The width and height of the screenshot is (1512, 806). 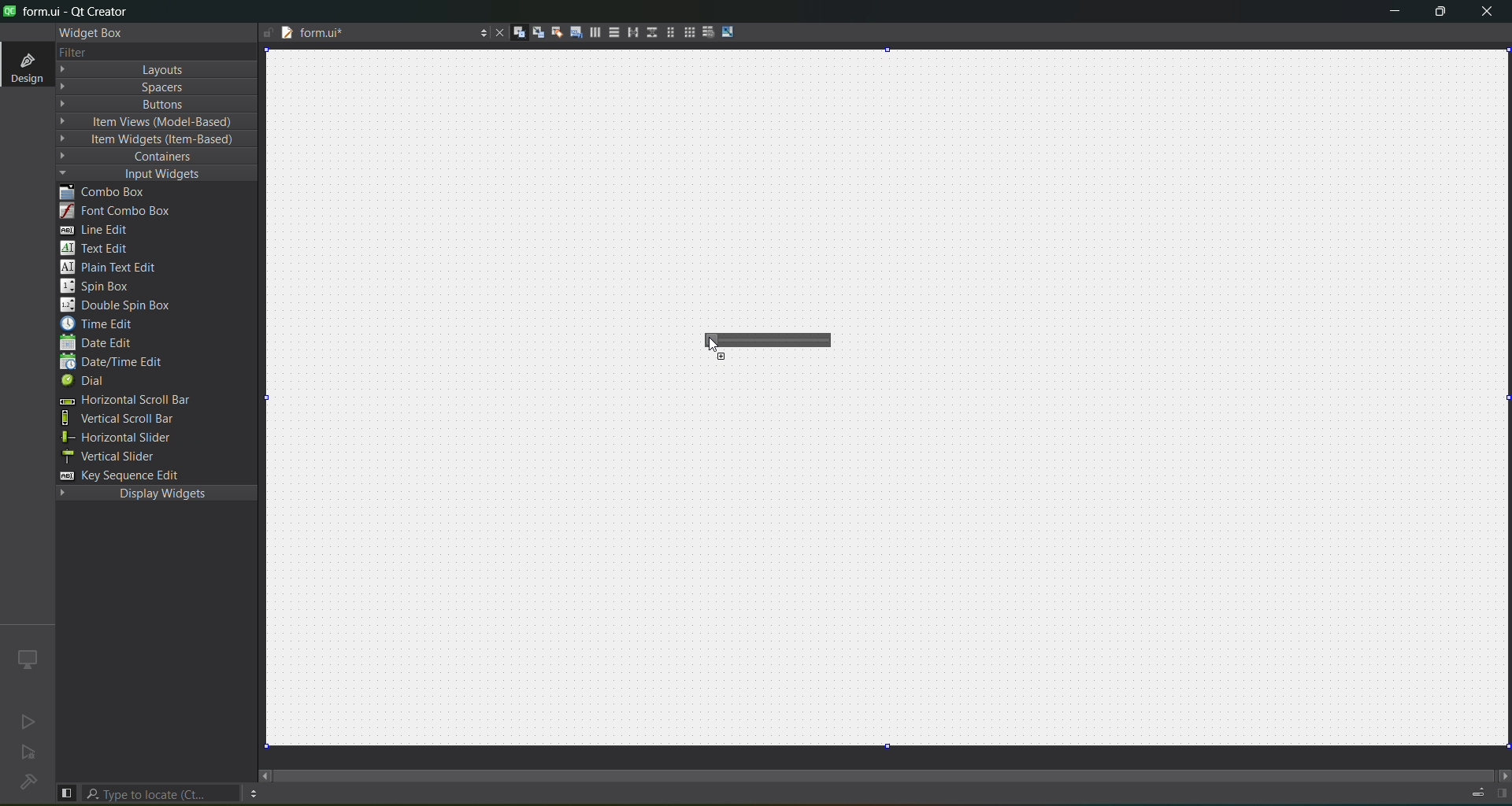 What do you see at coordinates (132, 69) in the screenshot?
I see `layout` at bounding box center [132, 69].